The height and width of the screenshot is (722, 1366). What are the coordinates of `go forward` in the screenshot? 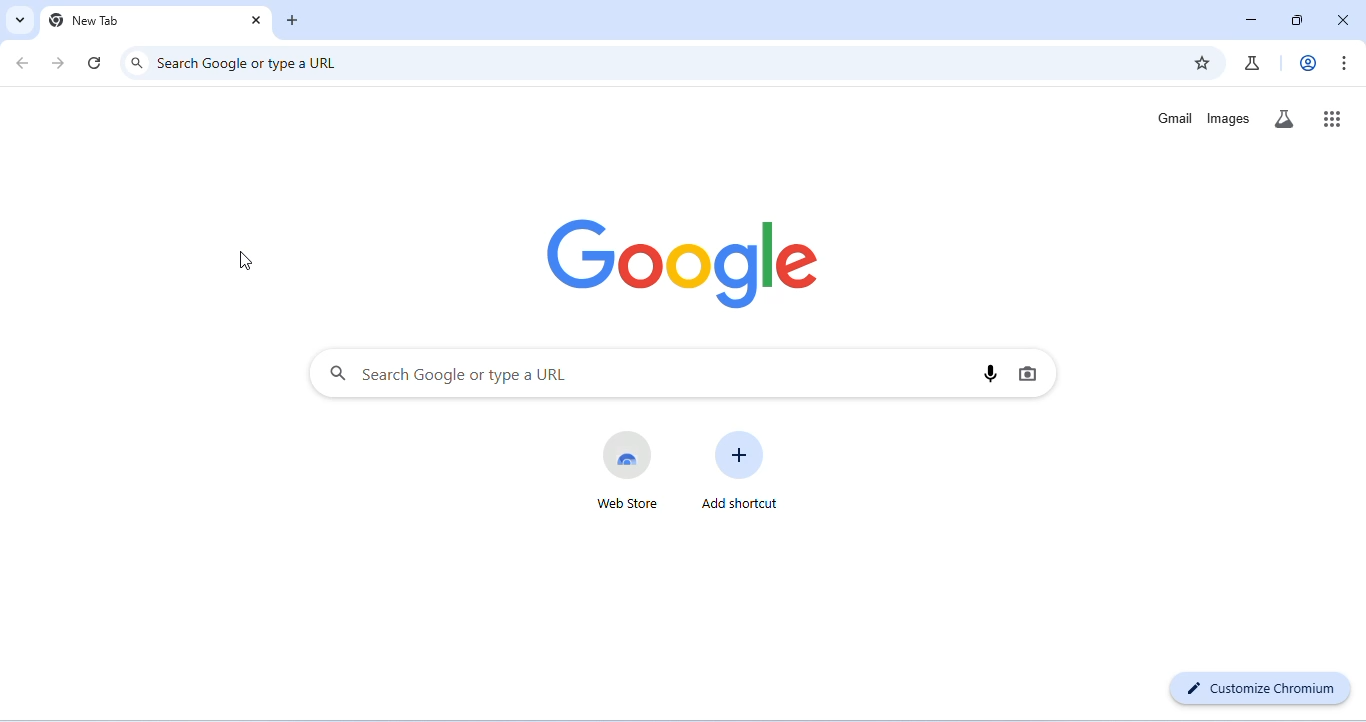 It's located at (60, 62).